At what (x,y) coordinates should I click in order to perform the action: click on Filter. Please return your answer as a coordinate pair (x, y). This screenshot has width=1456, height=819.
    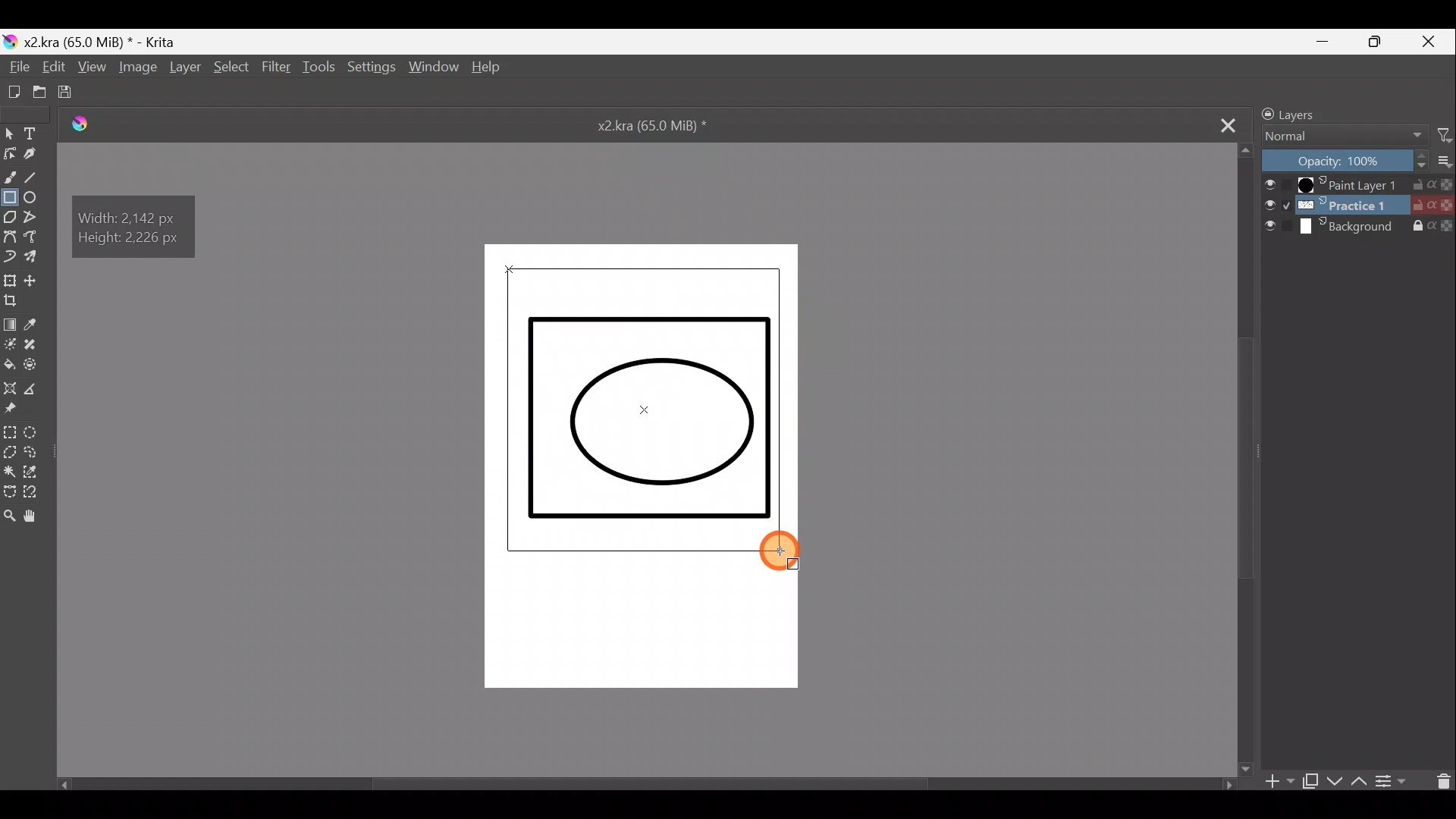
    Looking at the image, I should click on (1445, 133).